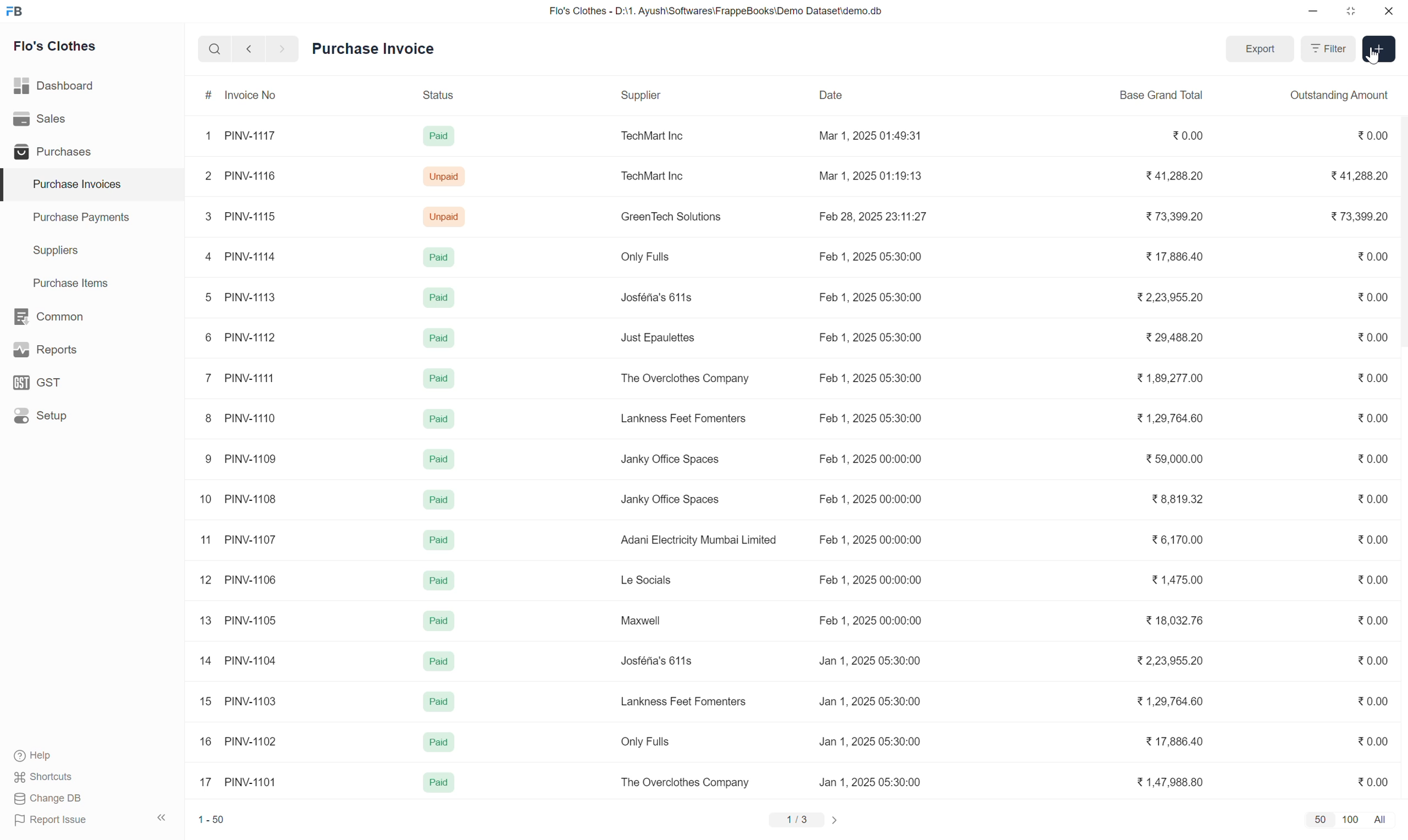 The image size is (1408, 840). I want to click on 0.00, so click(1373, 579).